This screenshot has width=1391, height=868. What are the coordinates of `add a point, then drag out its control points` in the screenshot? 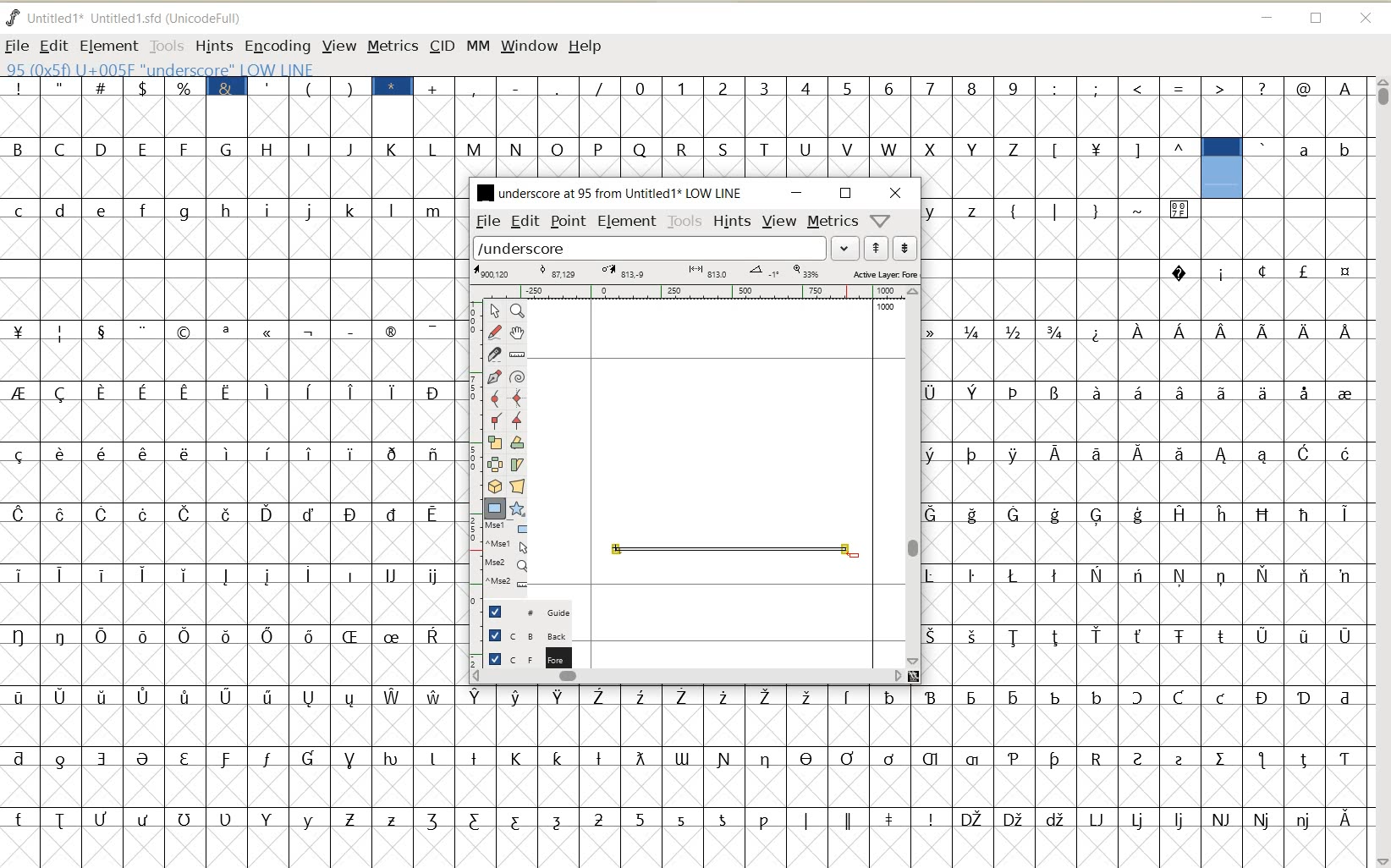 It's located at (495, 377).